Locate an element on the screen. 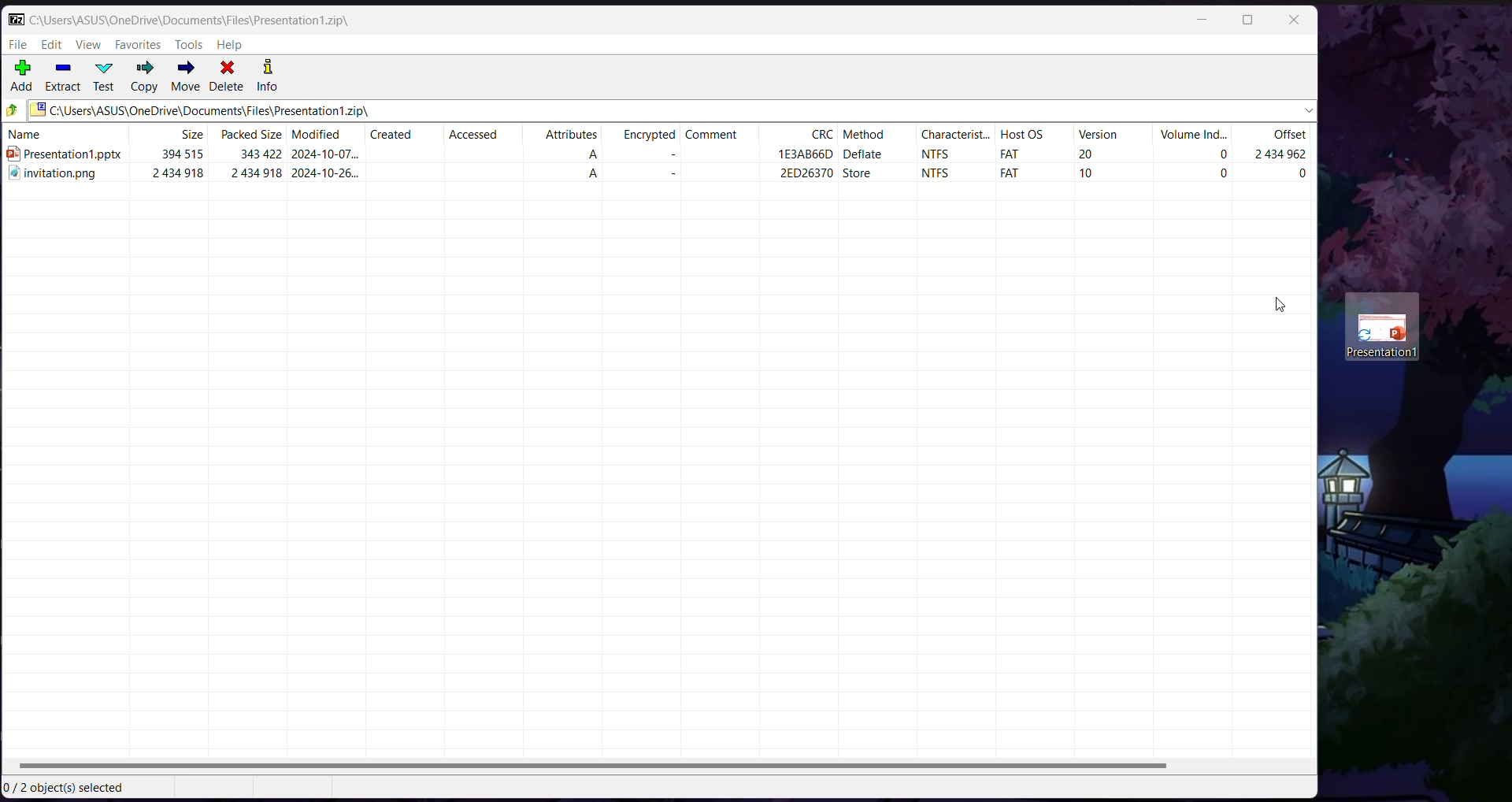 This screenshot has height=802, width=1512. Attributes is located at coordinates (571, 137).